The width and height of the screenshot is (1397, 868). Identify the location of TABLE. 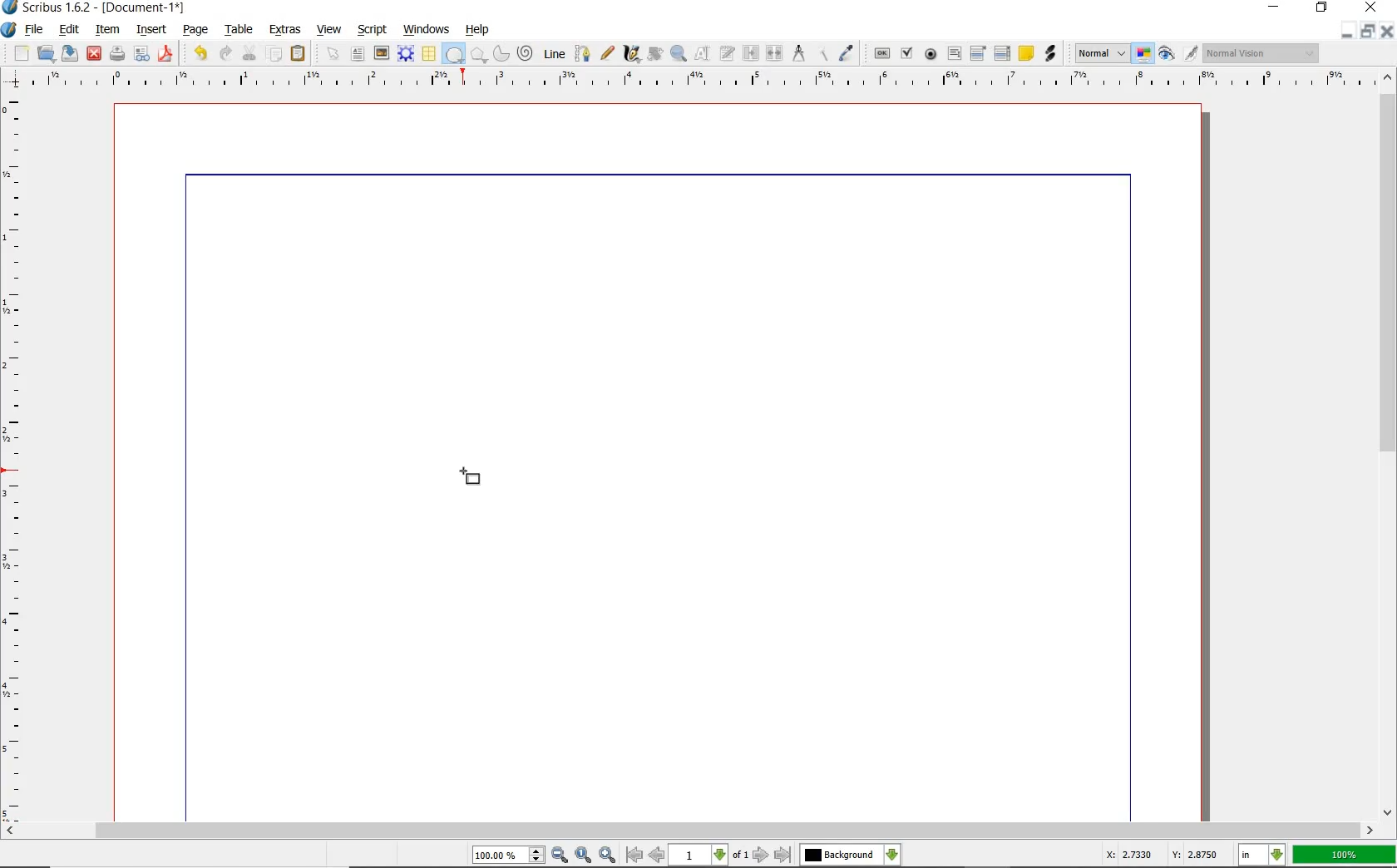
(428, 54).